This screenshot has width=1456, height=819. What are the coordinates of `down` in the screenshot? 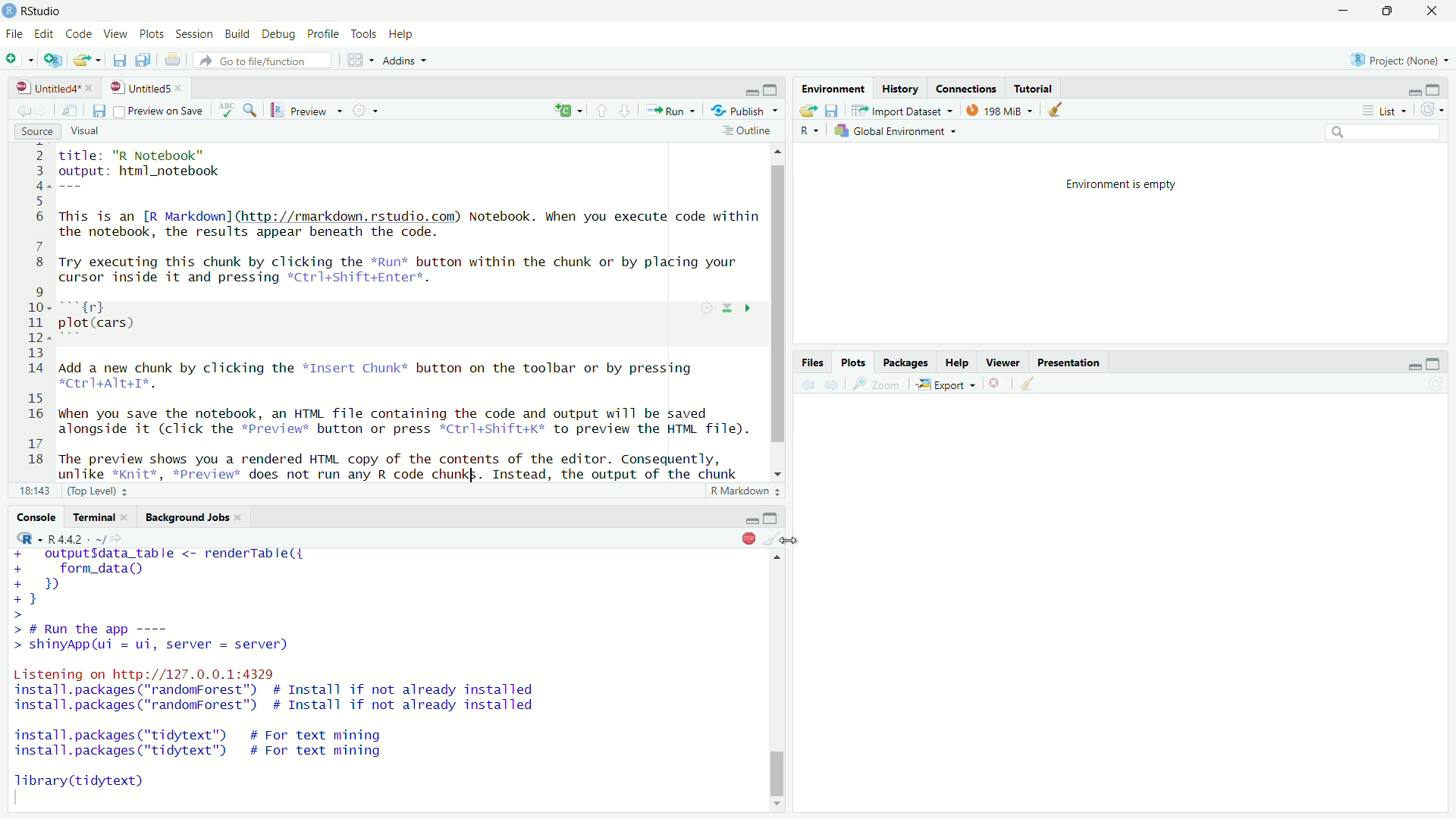 It's located at (602, 111).